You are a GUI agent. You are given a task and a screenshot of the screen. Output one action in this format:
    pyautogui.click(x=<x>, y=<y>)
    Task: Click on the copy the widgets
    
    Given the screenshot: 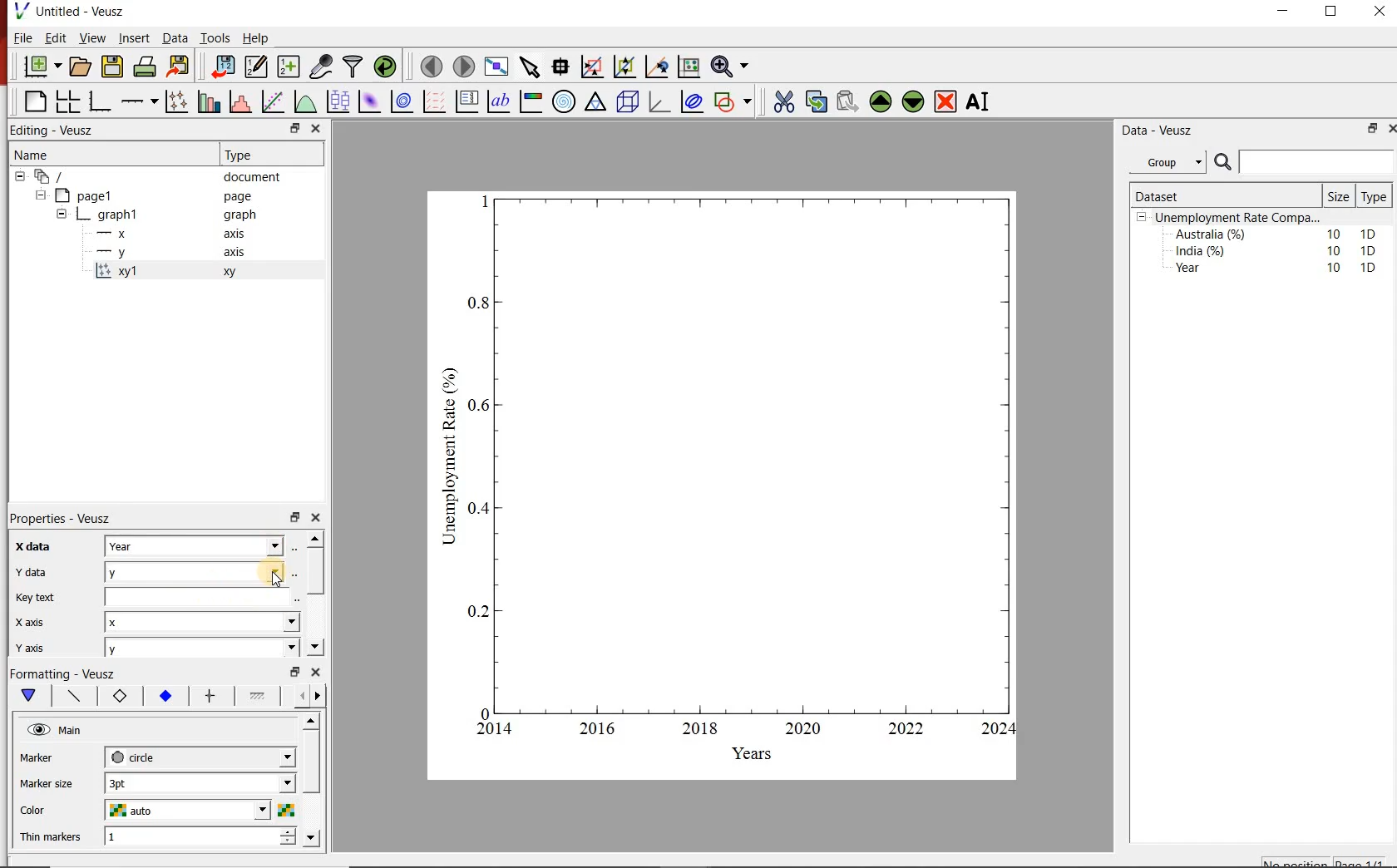 What is the action you would take?
    pyautogui.click(x=815, y=101)
    